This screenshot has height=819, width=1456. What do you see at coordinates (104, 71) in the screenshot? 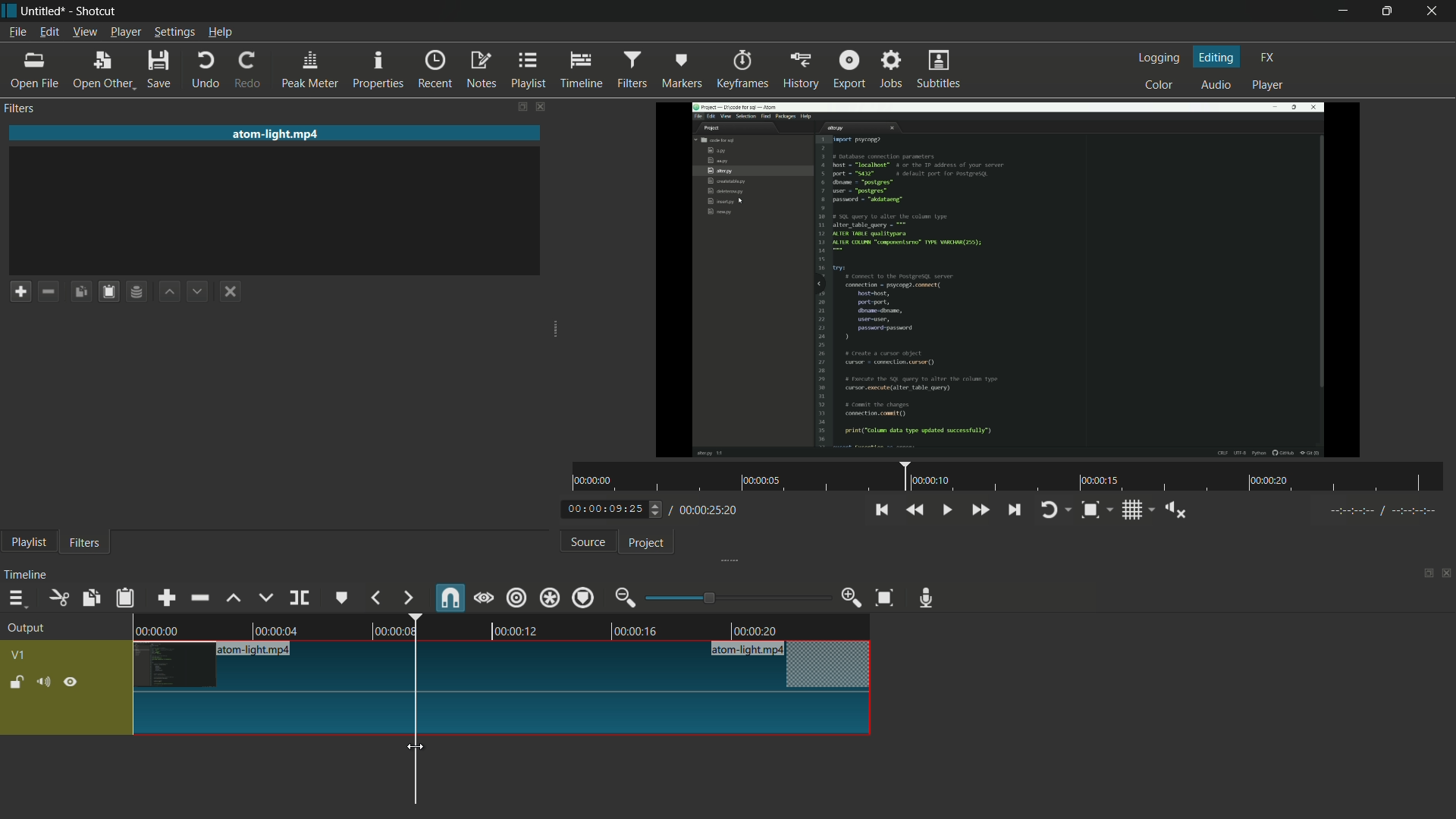
I see `open other` at bounding box center [104, 71].